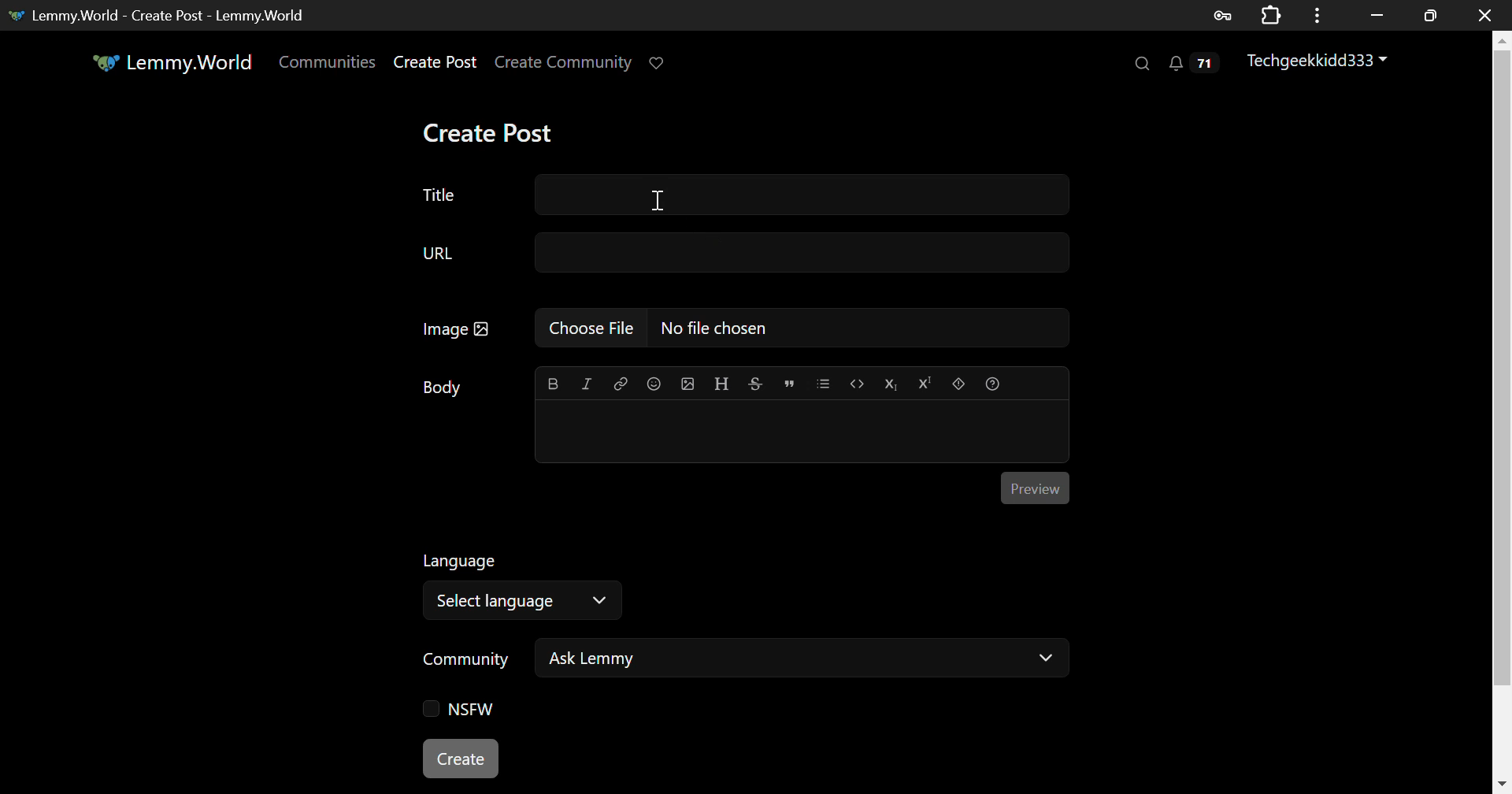 This screenshot has width=1512, height=794. Describe the element at coordinates (1322, 63) in the screenshot. I see `Techgeekkidd333` at that location.